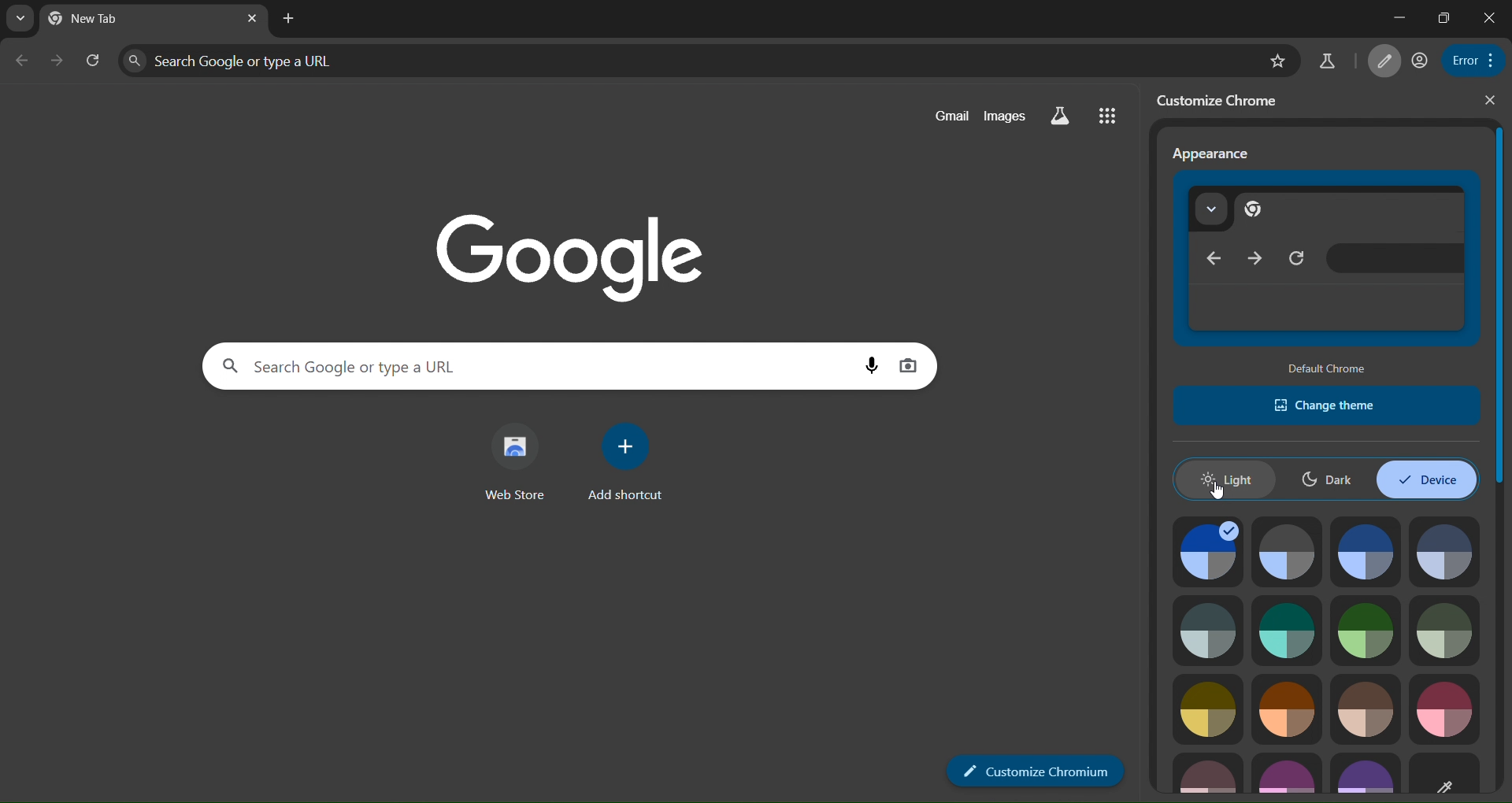  Describe the element at coordinates (86, 18) in the screenshot. I see `current tab` at that location.